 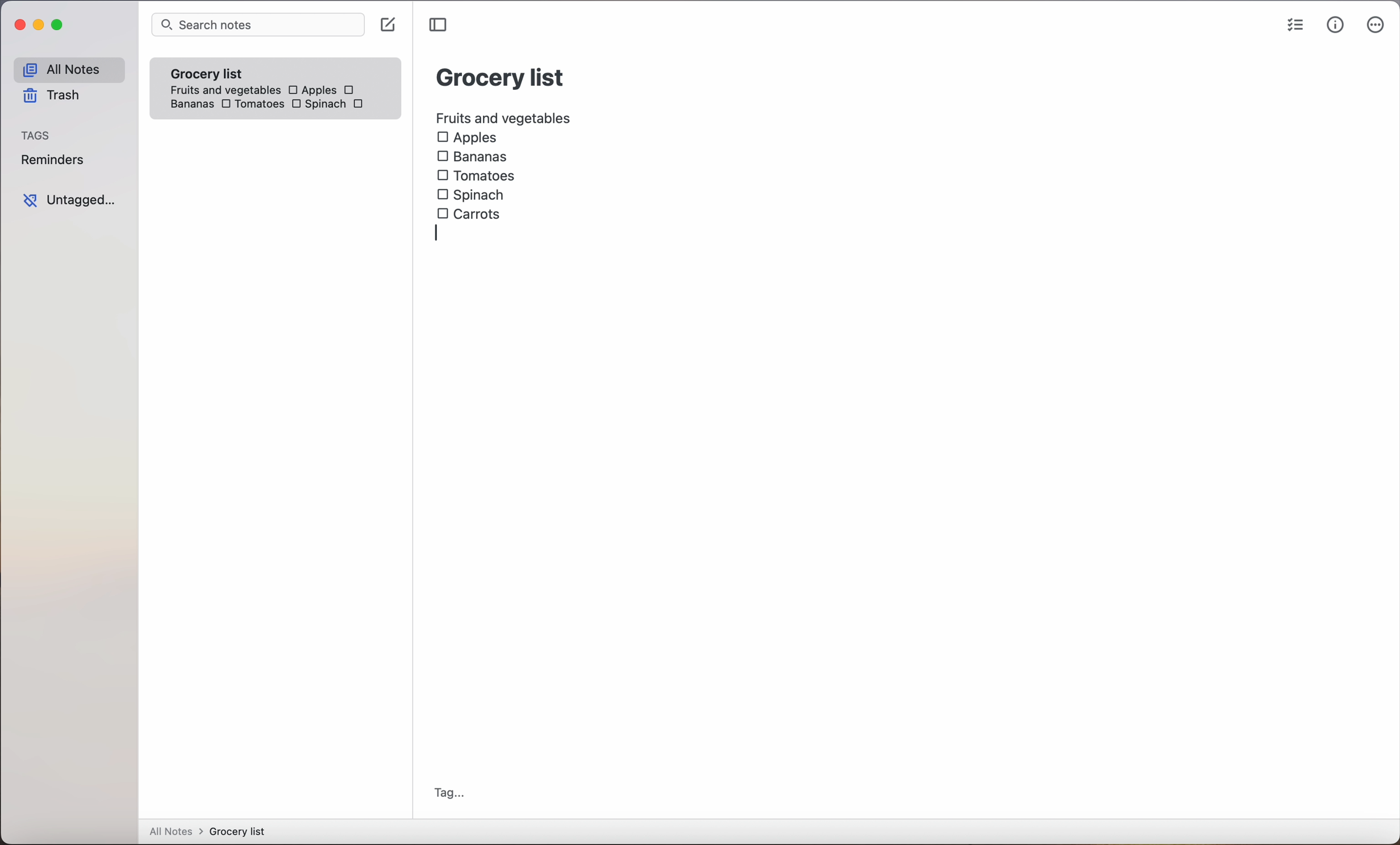 What do you see at coordinates (257, 26) in the screenshot?
I see `search bar` at bounding box center [257, 26].